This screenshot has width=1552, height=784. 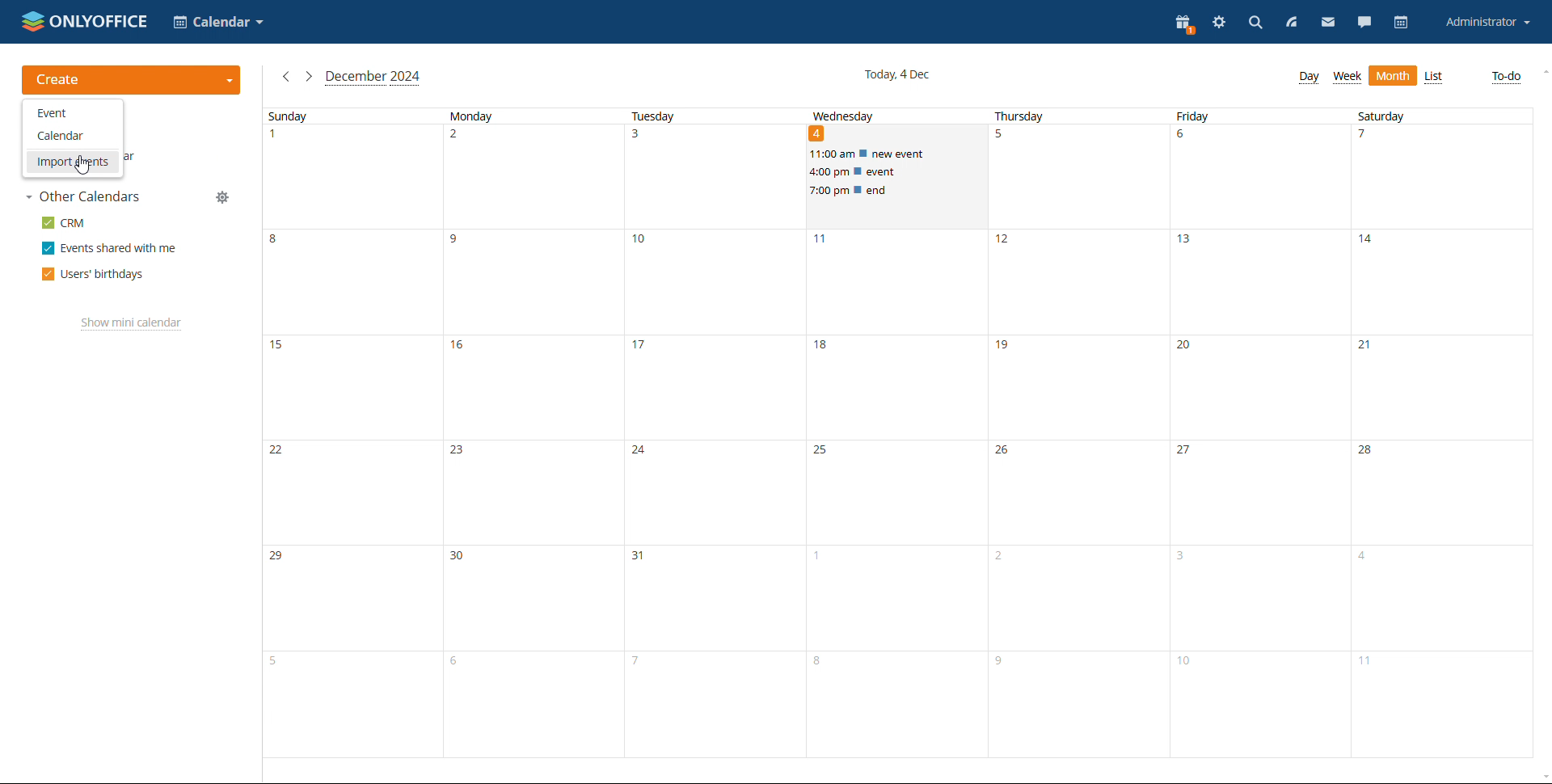 What do you see at coordinates (716, 434) in the screenshot?
I see `tuesday` at bounding box center [716, 434].